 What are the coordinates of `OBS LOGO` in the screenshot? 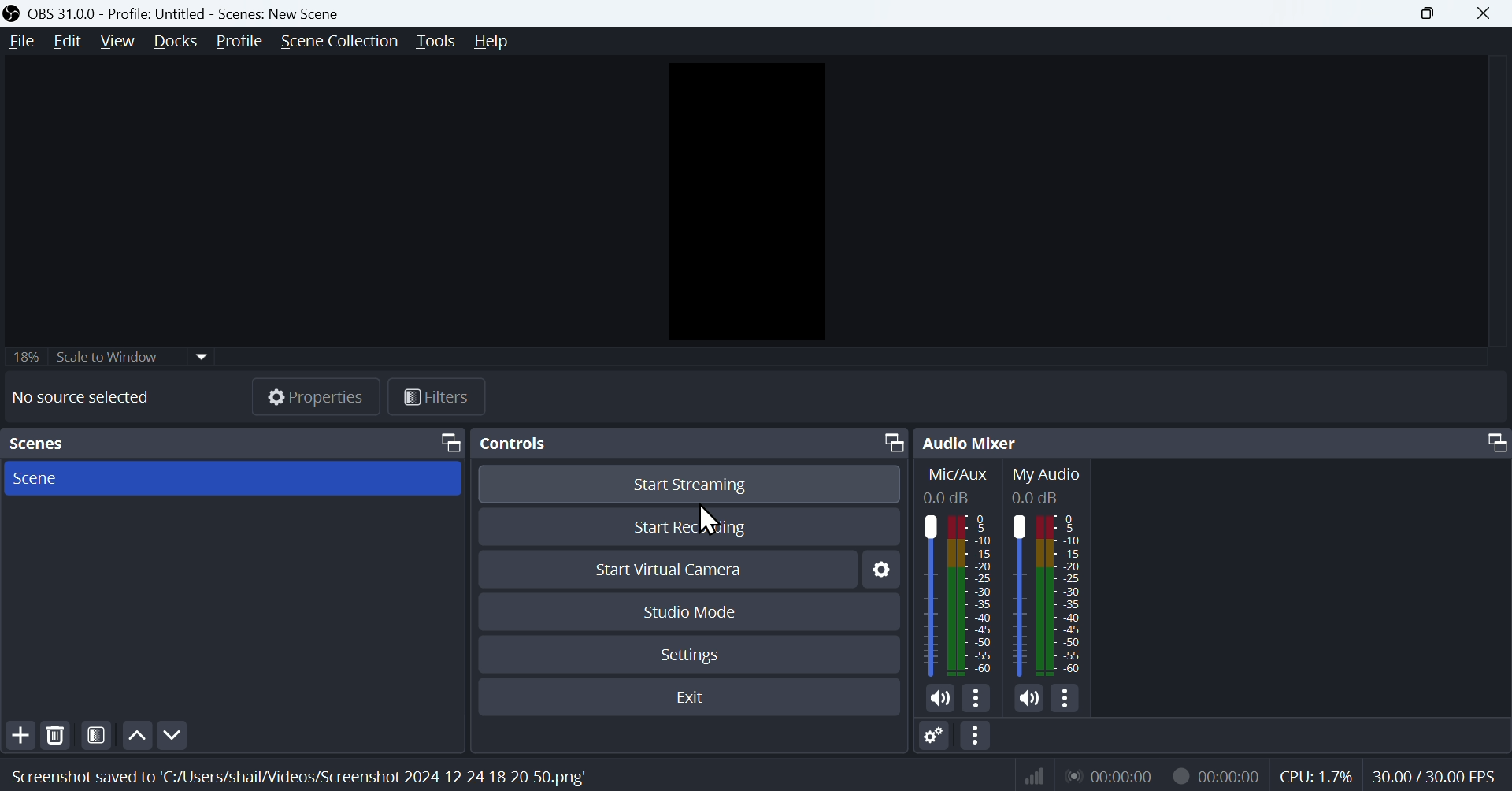 It's located at (11, 13).